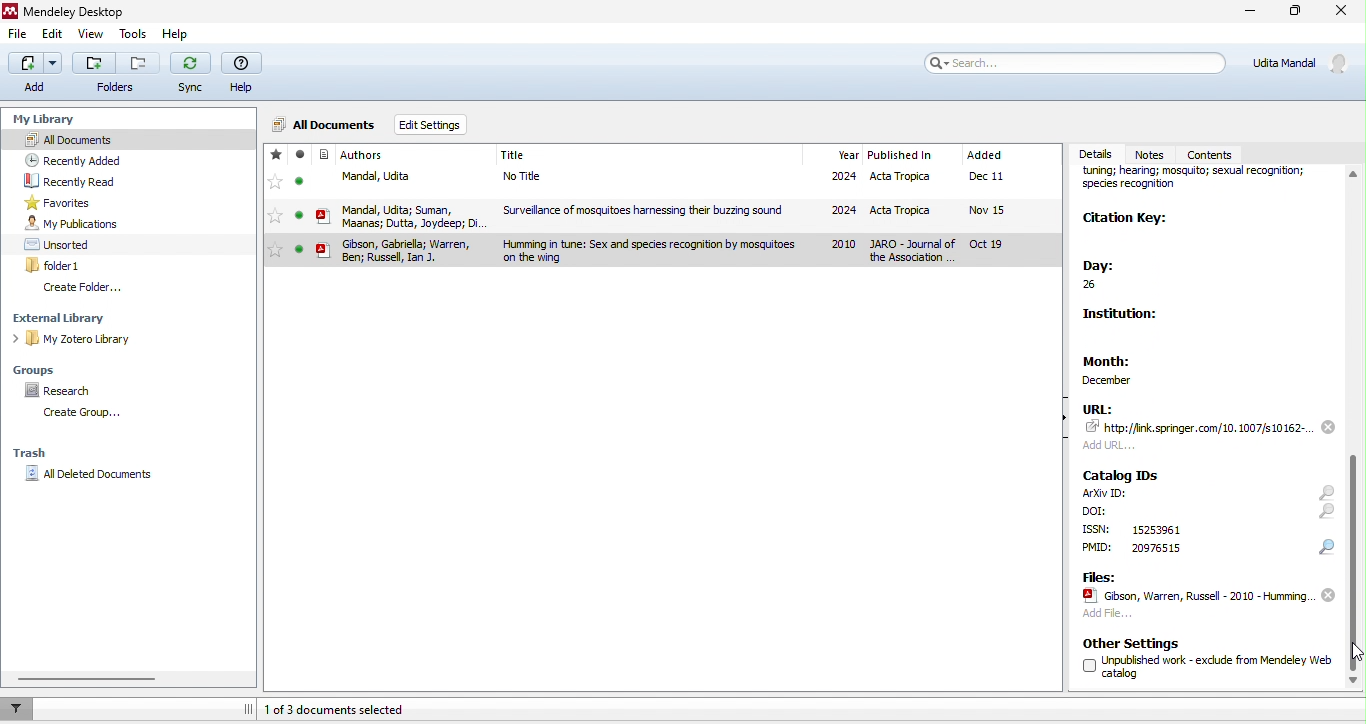 The image size is (1366, 724). What do you see at coordinates (275, 186) in the screenshot?
I see `favourites` at bounding box center [275, 186].